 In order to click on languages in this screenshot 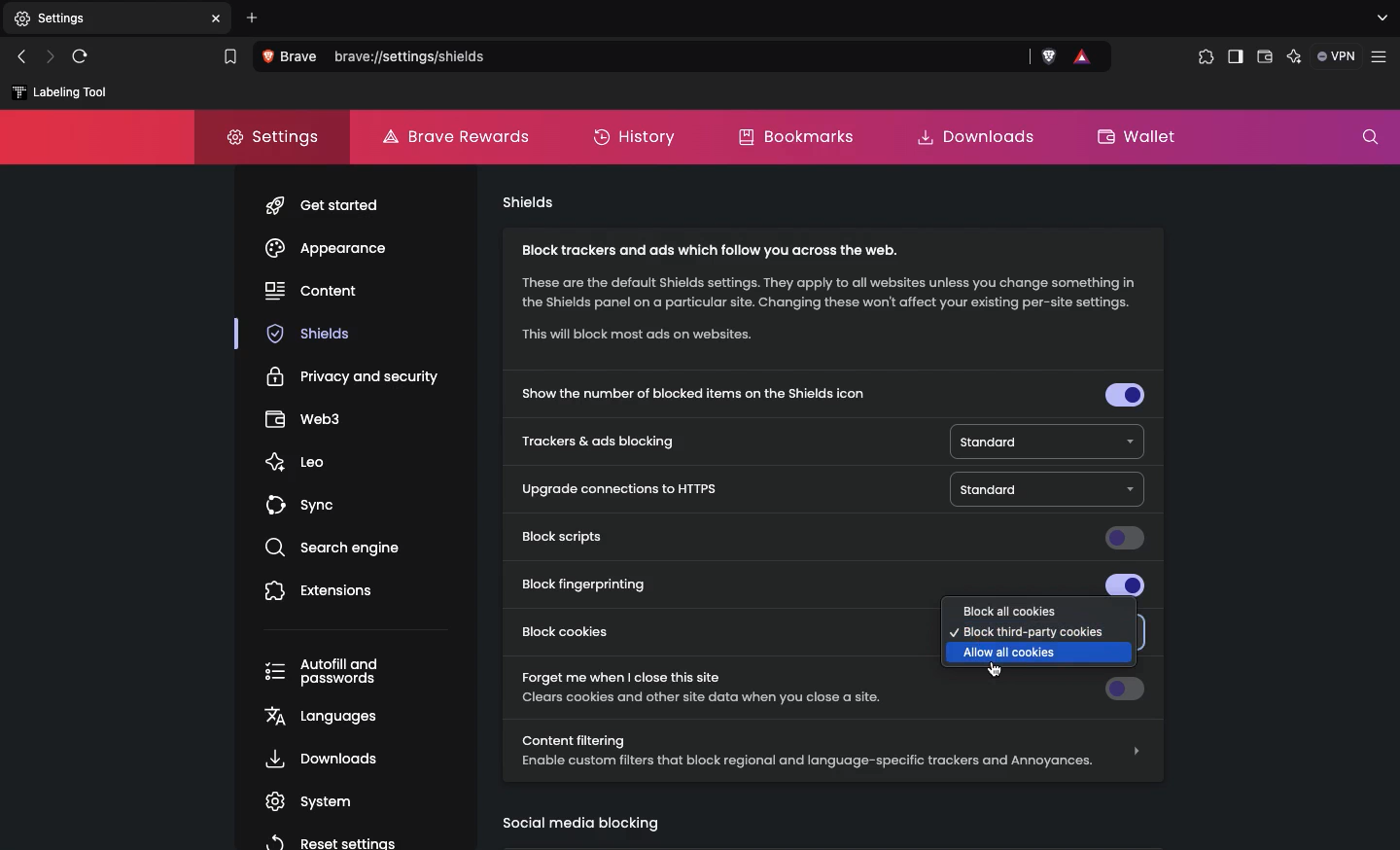, I will do `click(326, 718)`.